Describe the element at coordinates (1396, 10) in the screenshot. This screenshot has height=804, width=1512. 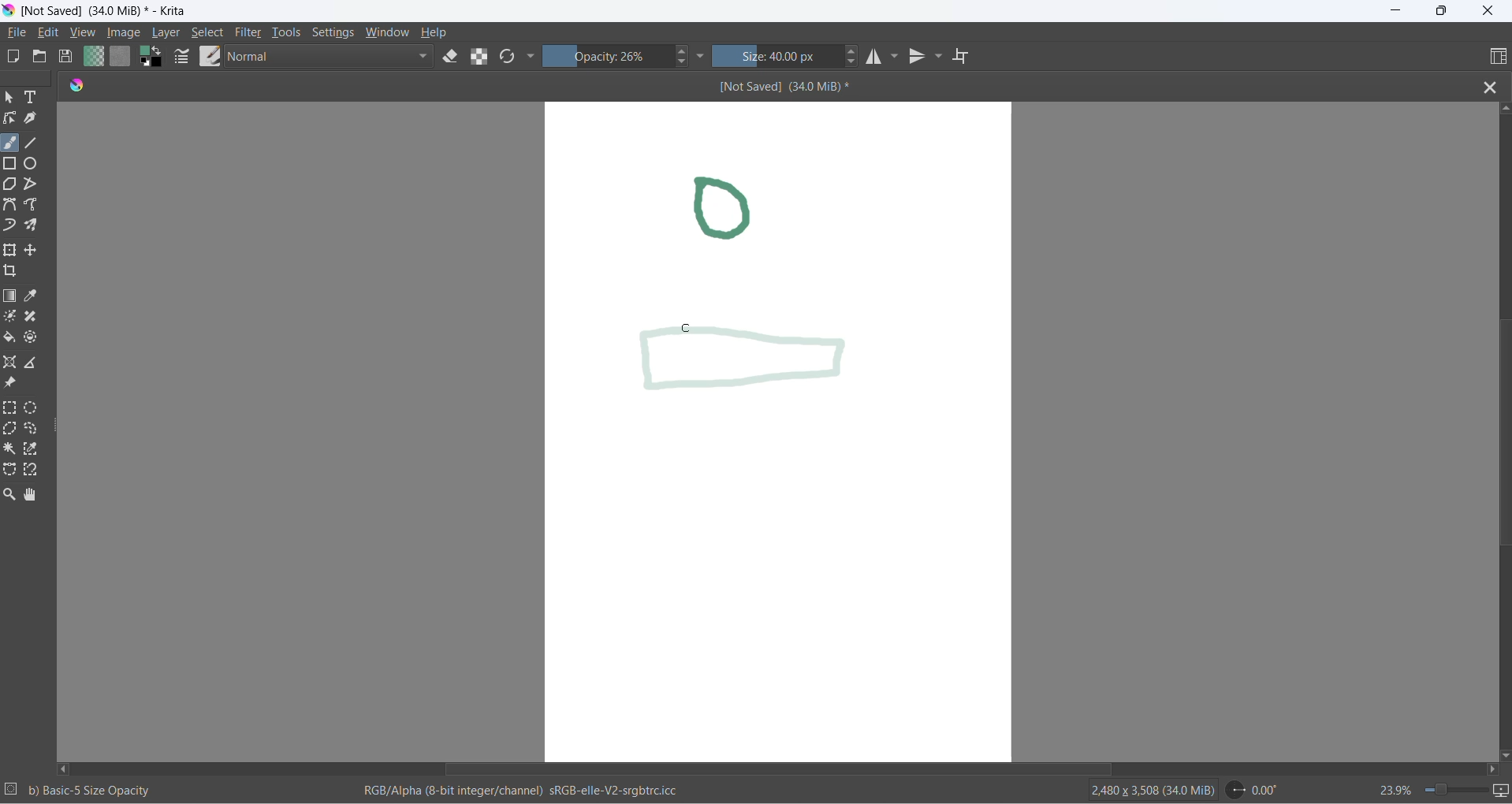
I see `minimize` at that location.